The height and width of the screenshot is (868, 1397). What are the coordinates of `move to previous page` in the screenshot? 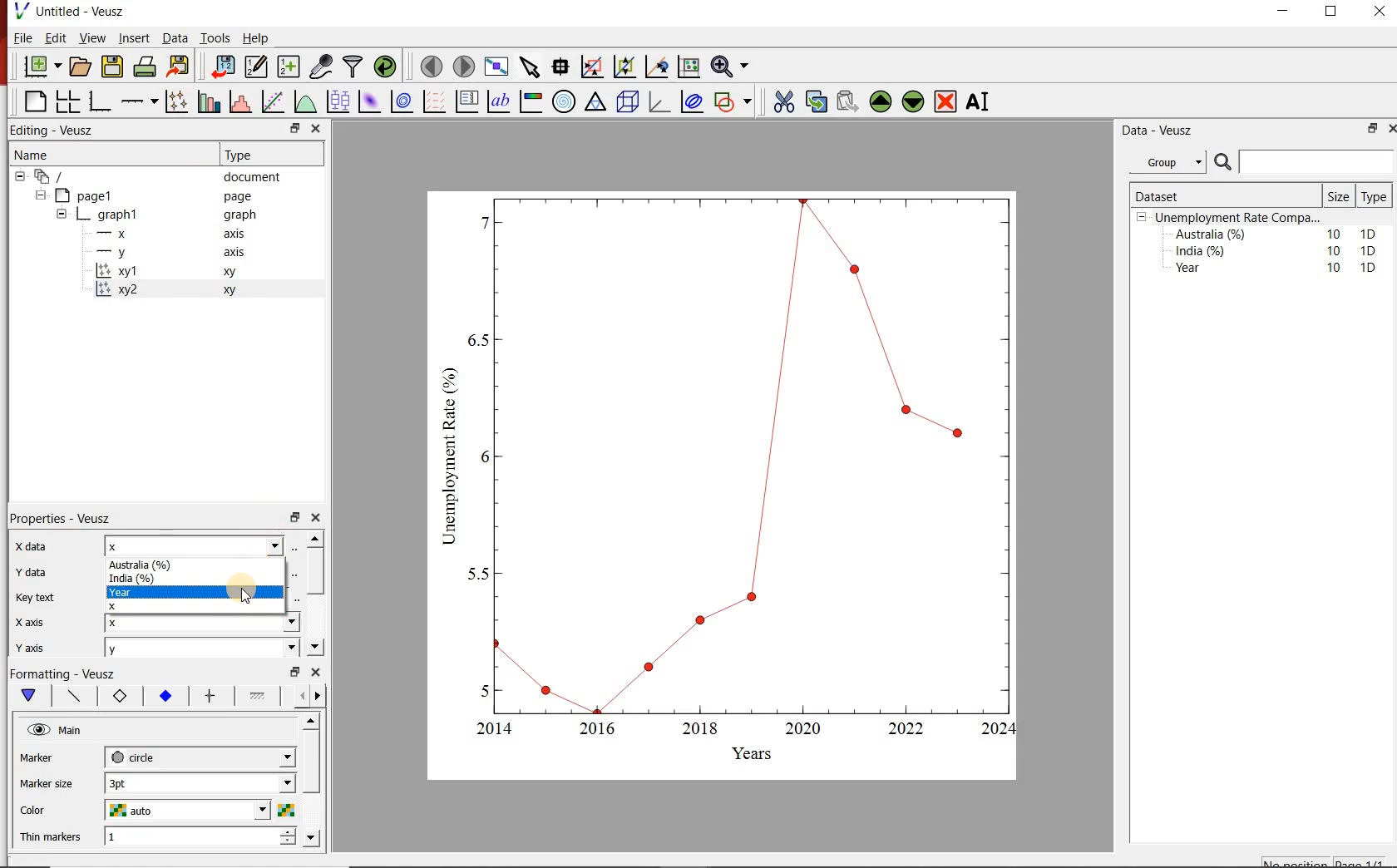 It's located at (432, 65).